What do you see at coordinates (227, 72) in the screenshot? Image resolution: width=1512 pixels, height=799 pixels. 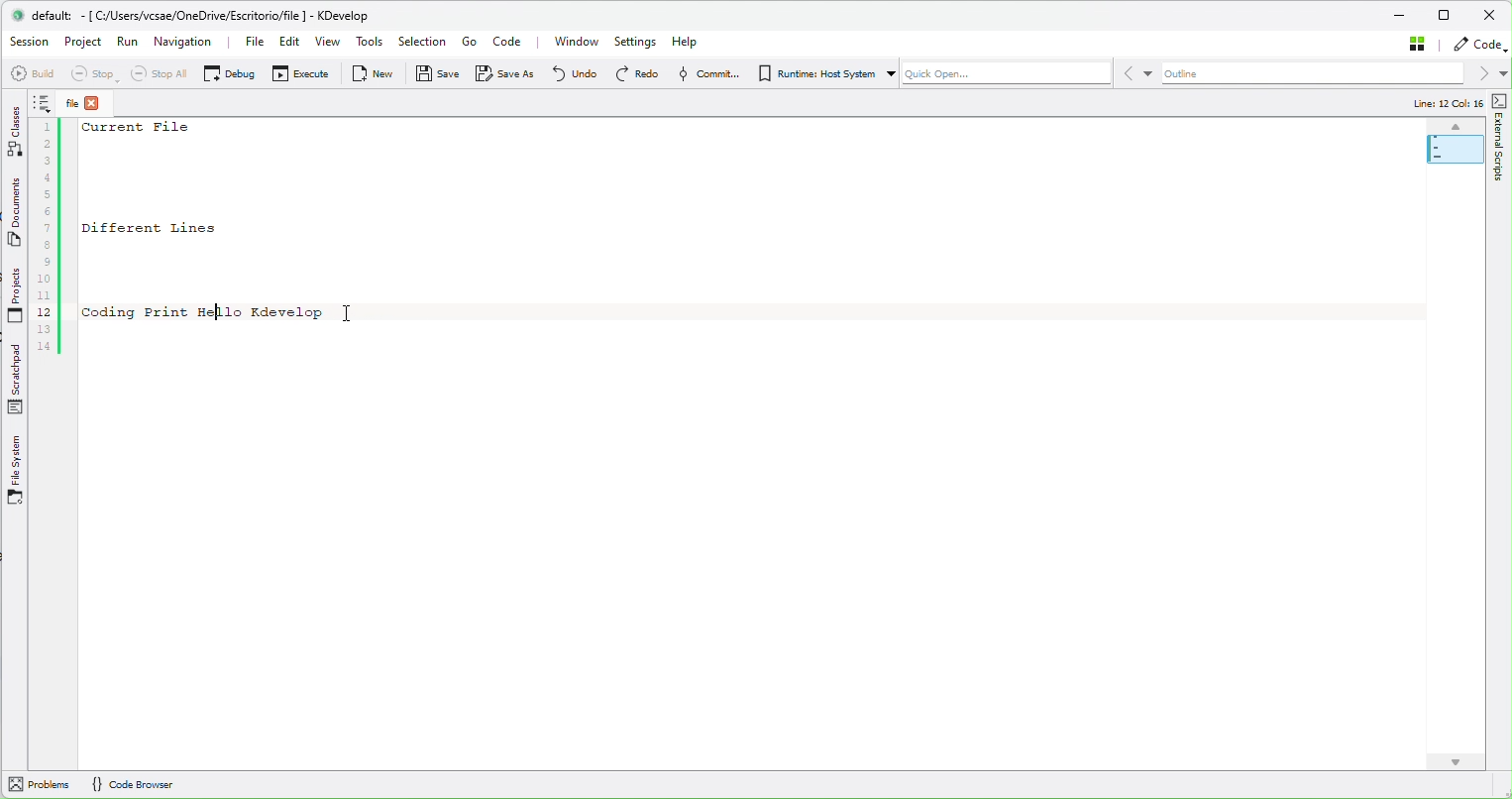 I see `Debug` at bounding box center [227, 72].